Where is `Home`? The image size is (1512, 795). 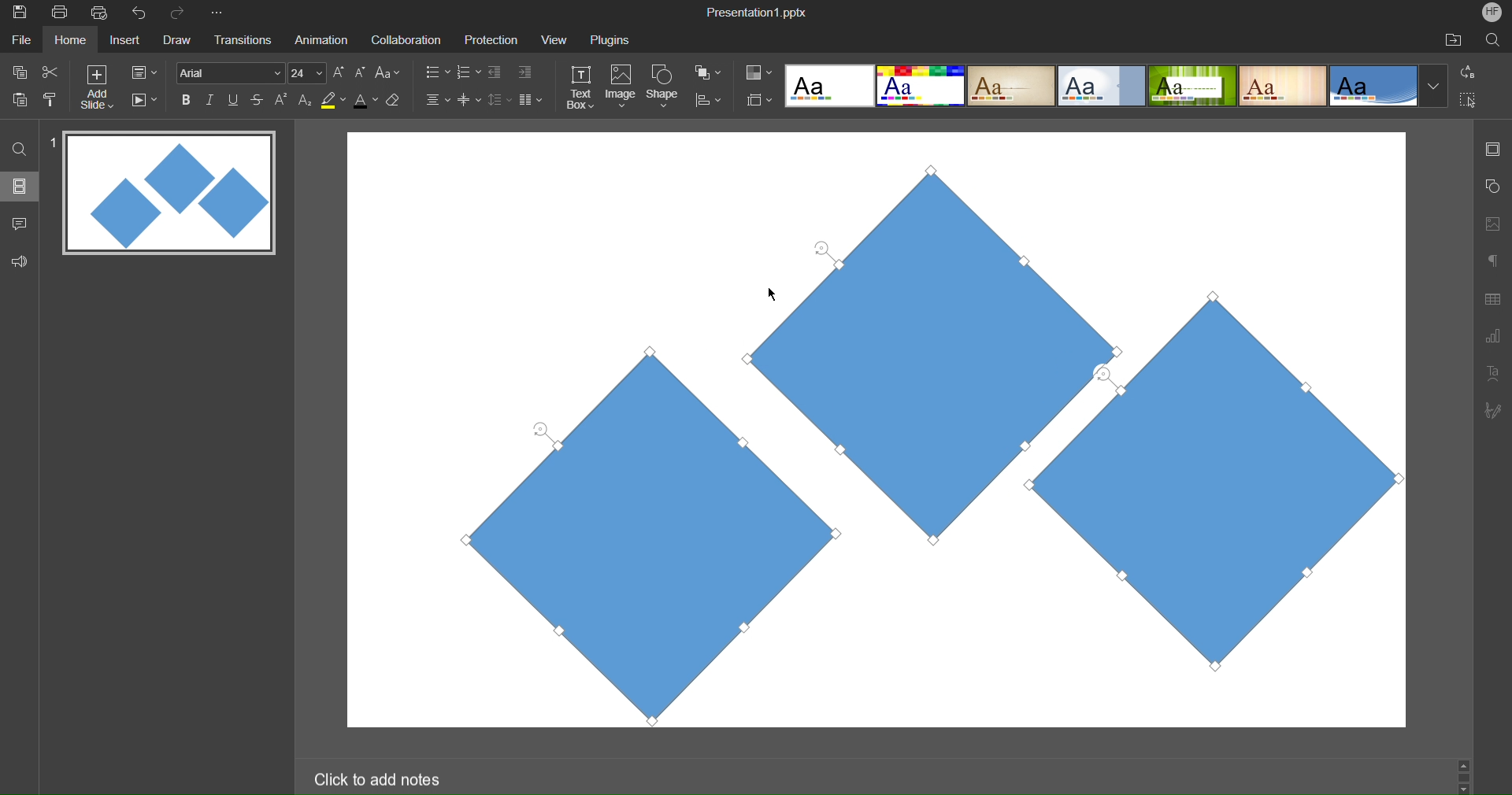
Home is located at coordinates (70, 40).